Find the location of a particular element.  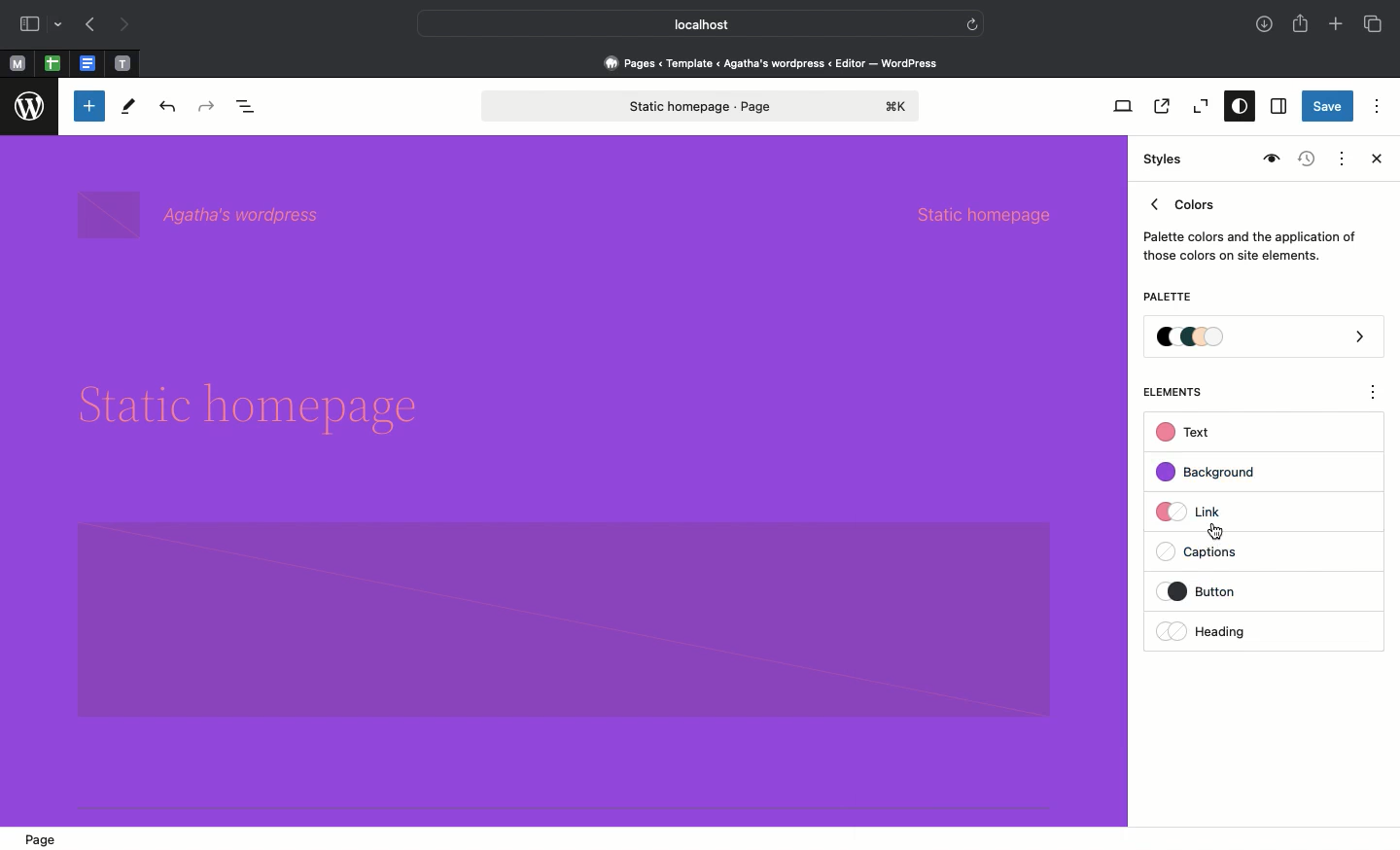

Pinned tab is located at coordinates (123, 64).